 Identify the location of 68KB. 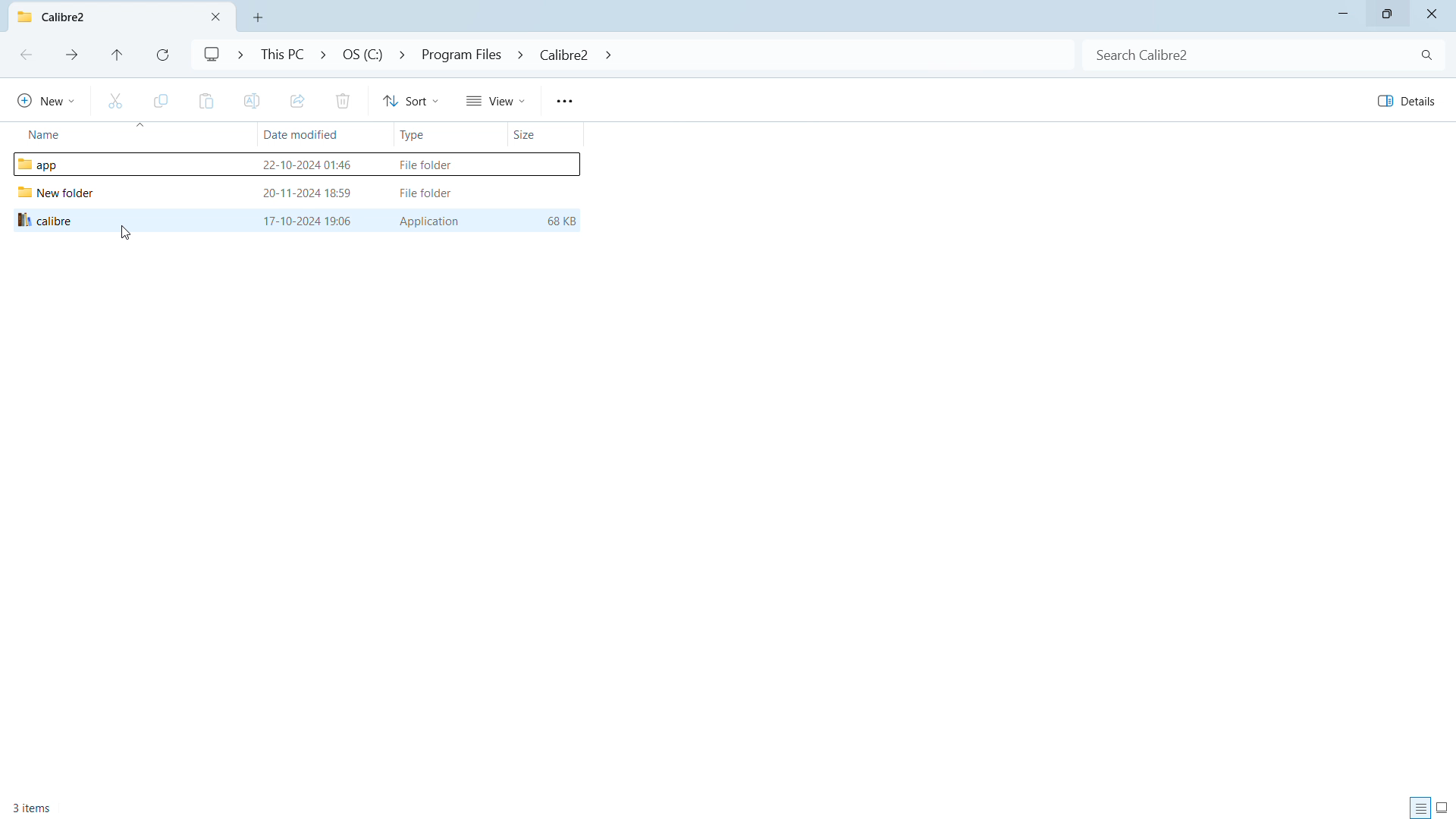
(561, 221).